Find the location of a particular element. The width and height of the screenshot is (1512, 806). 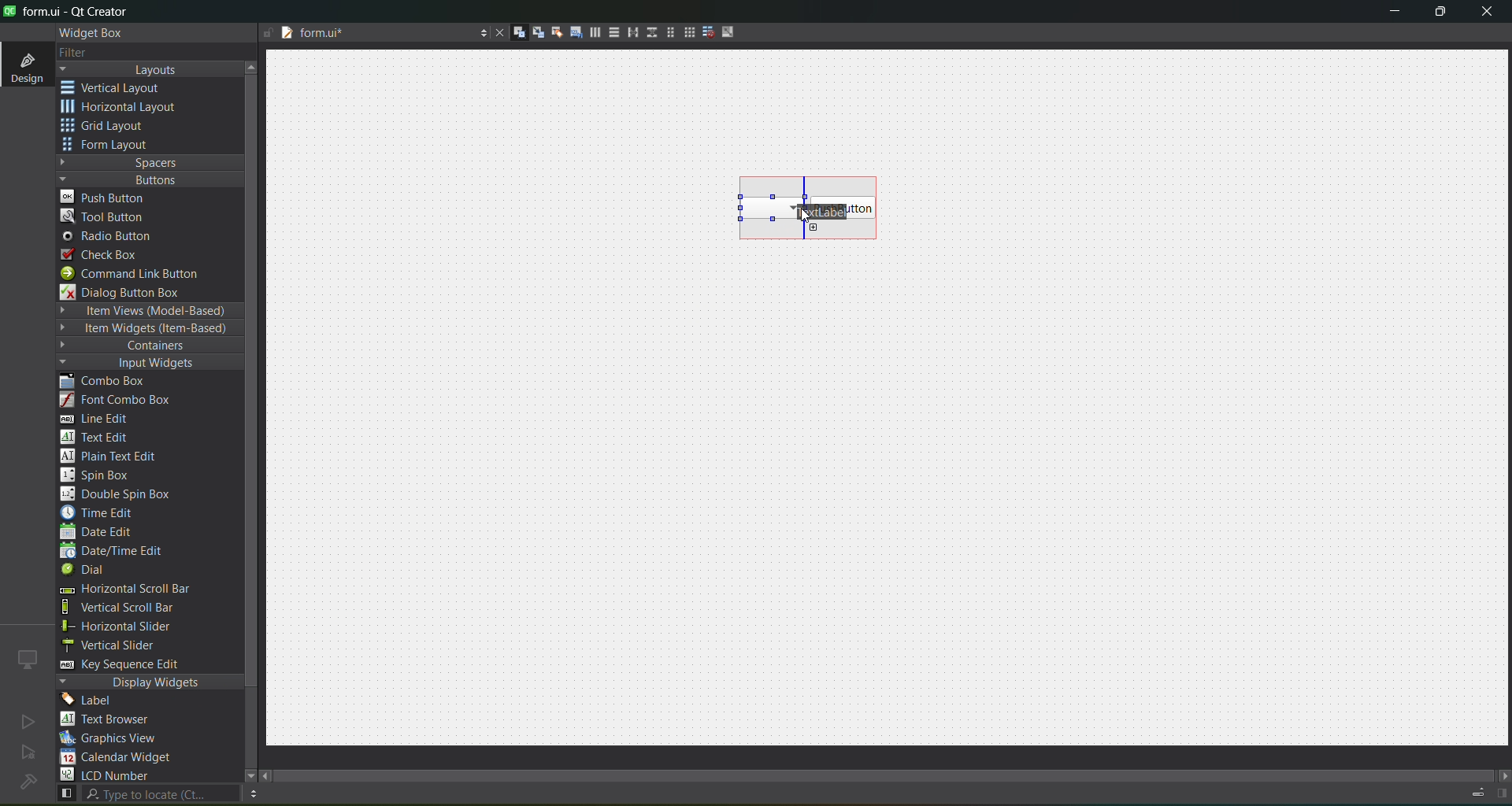

combo box is located at coordinates (760, 207).